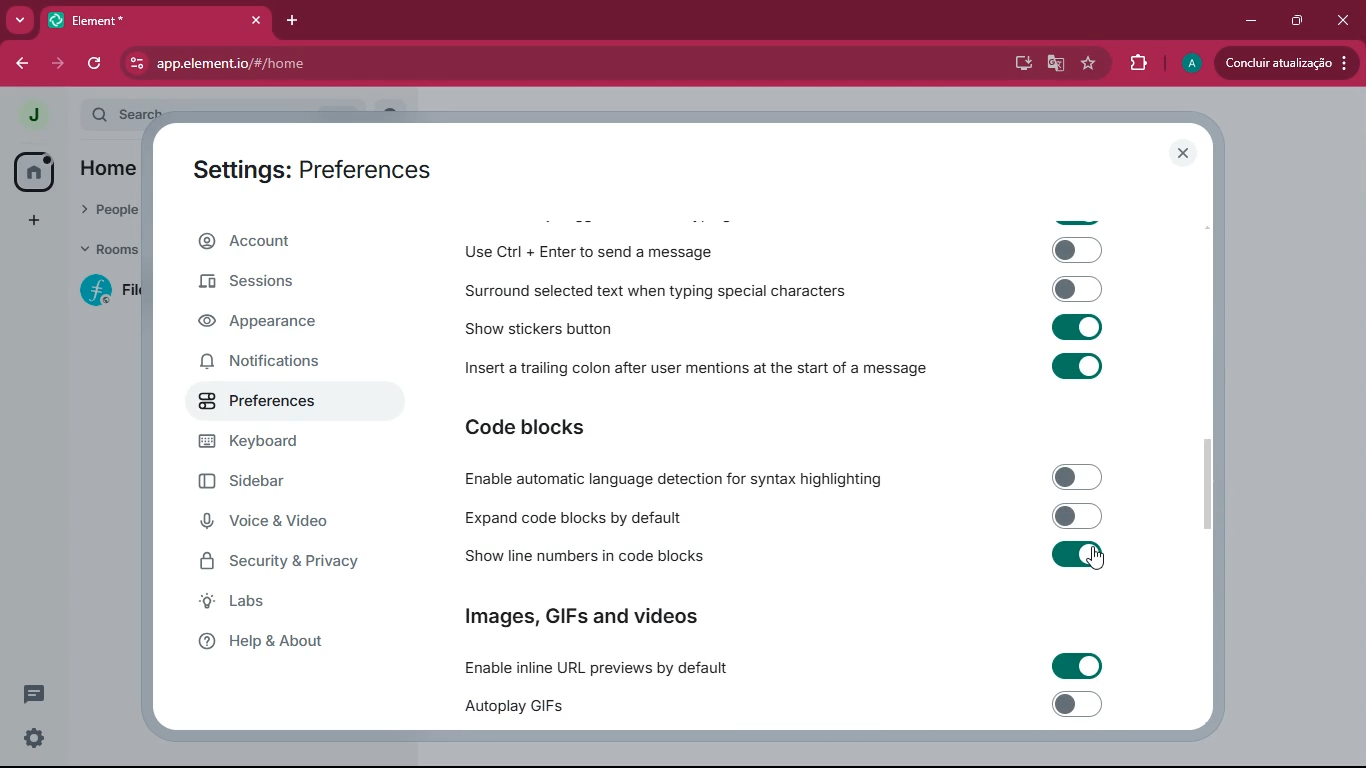  What do you see at coordinates (103, 168) in the screenshot?
I see `home` at bounding box center [103, 168].